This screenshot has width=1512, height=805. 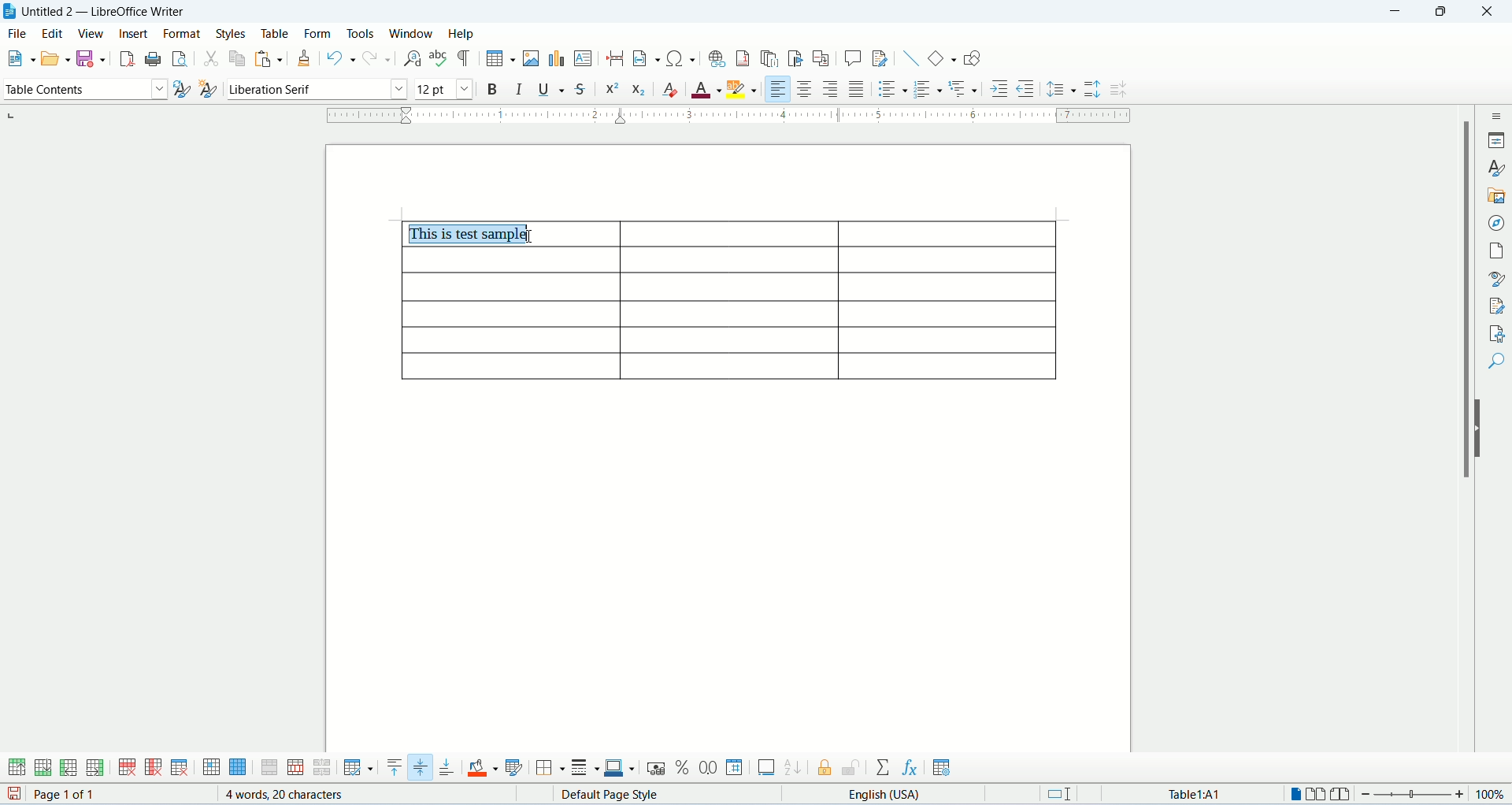 What do you see at coordinates (879, 58) in the screenshot?
I see `track changes` at bounding box center [879, 58].